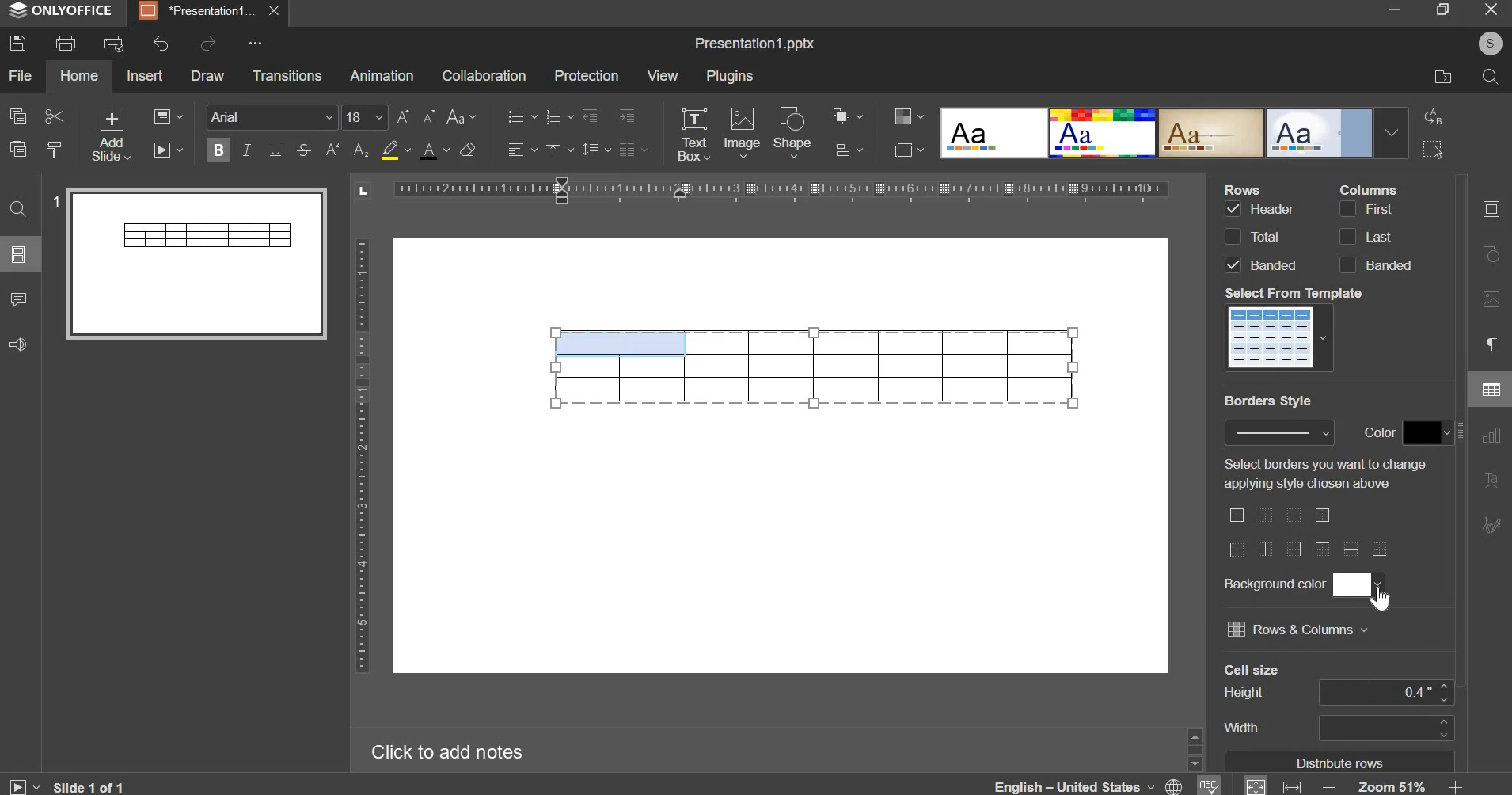  I want to click on vertical alignment, so click(557, 149).